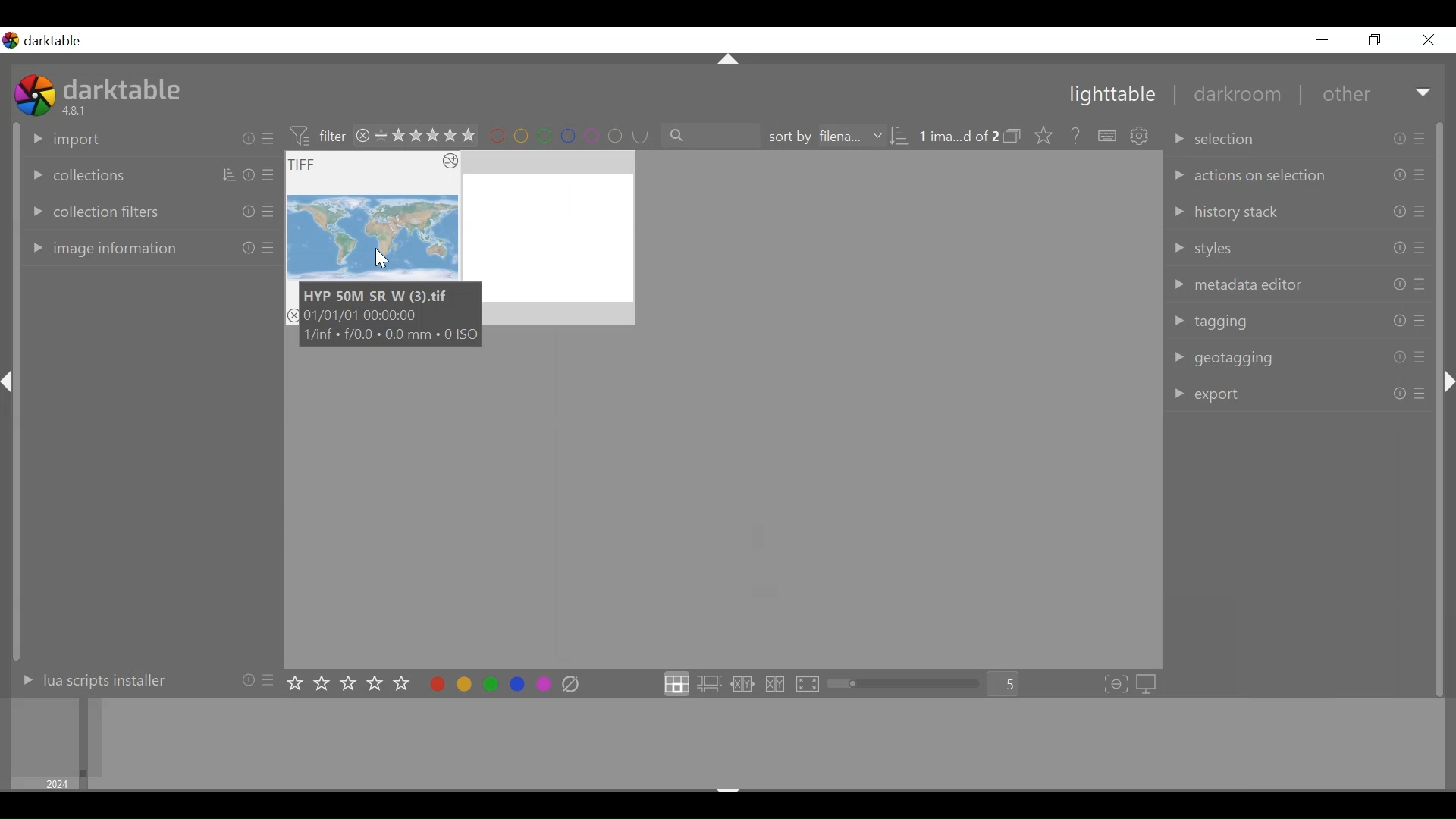  What do you see at coordinates (808, 685) in the screenshot?
I see `click to enter full preview` at bounding box center [808, 685].